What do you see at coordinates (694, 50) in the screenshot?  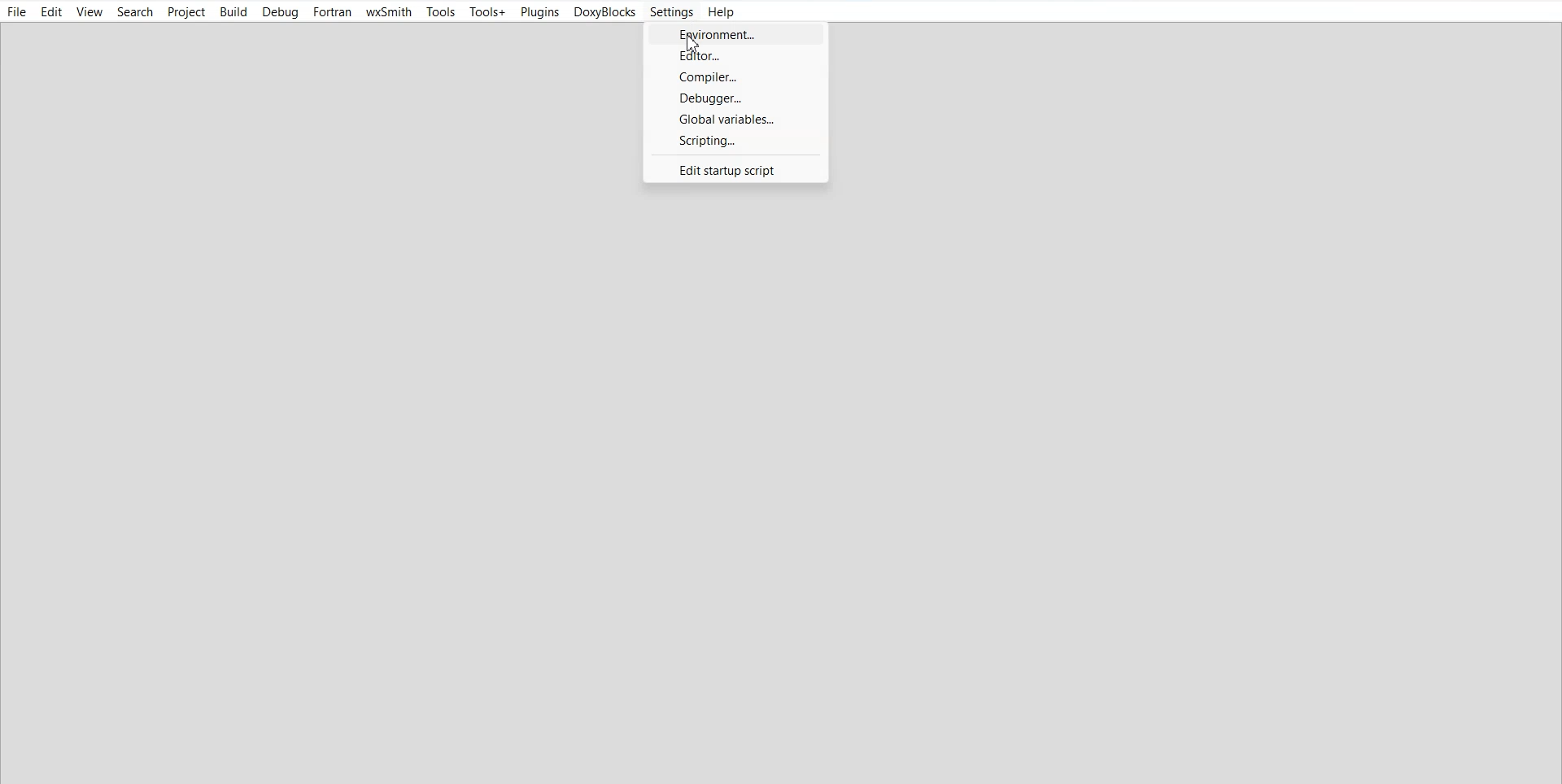 I see `Cursor` at bounding box center [694, 50].